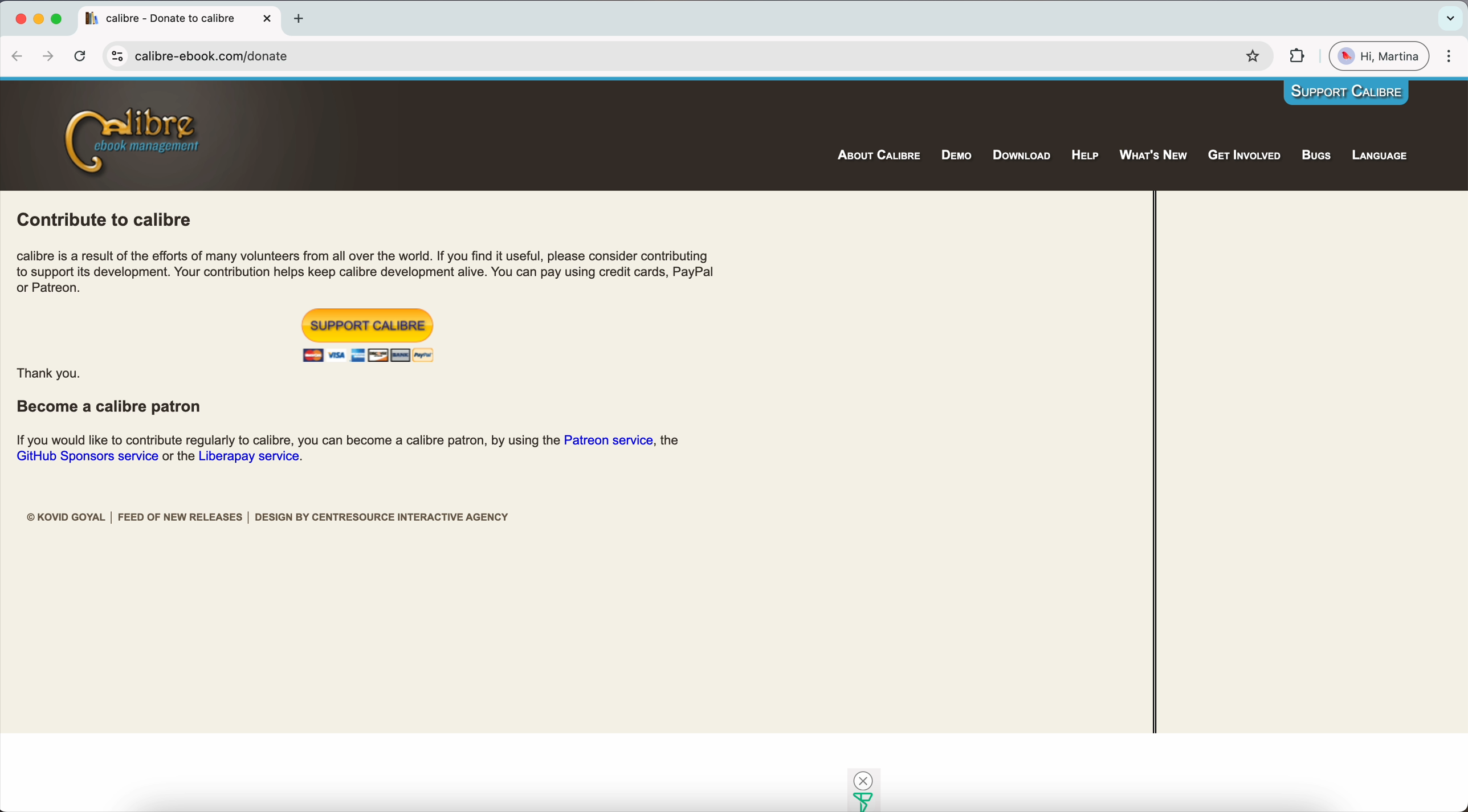  Describe the element at coordinates (38, 14) in the screenshot. I see `minimize` at that location.